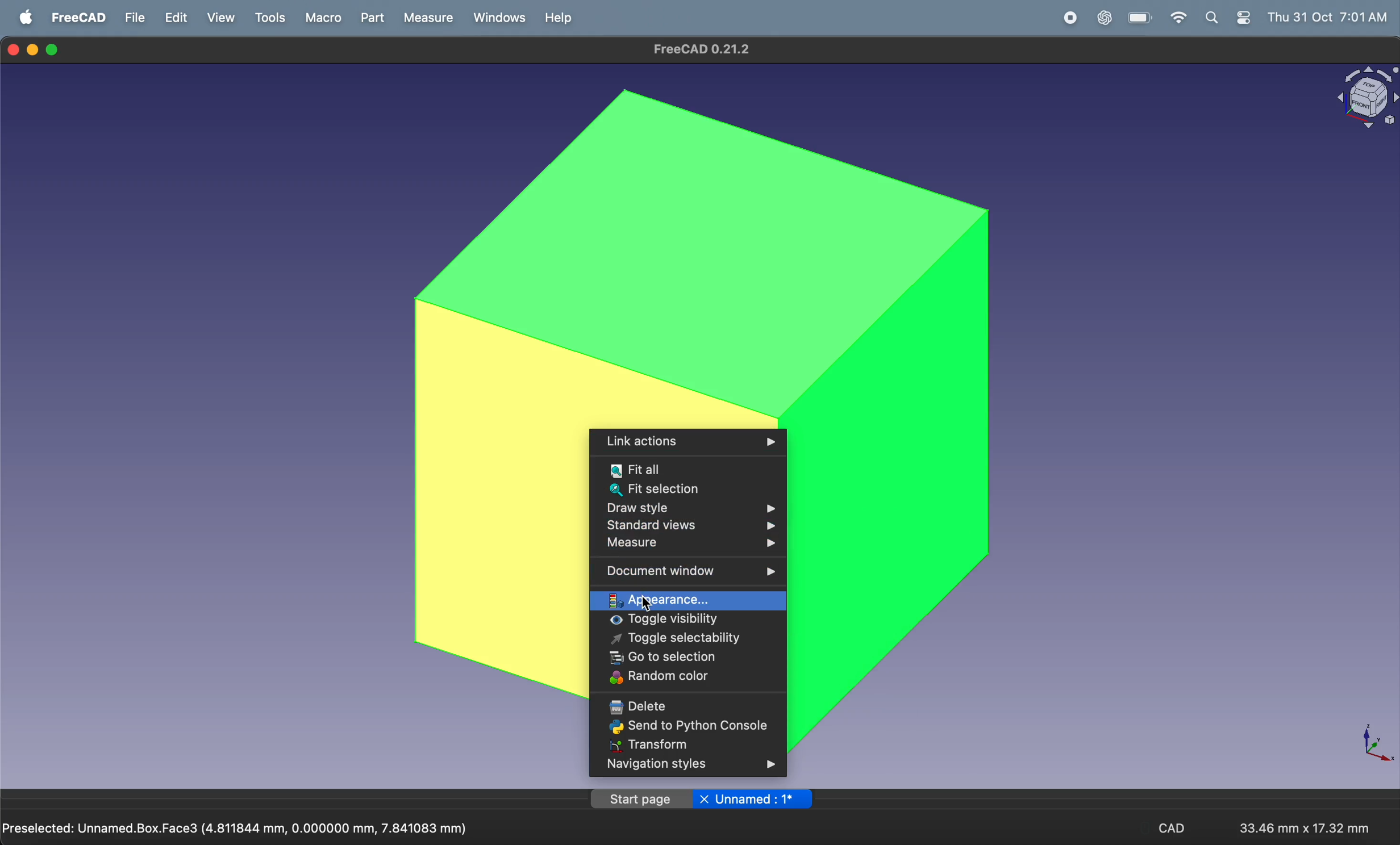  What do you see at coordinates (272, 18) in the screenshot?
I see `tools` at bounding box center [272, 18].